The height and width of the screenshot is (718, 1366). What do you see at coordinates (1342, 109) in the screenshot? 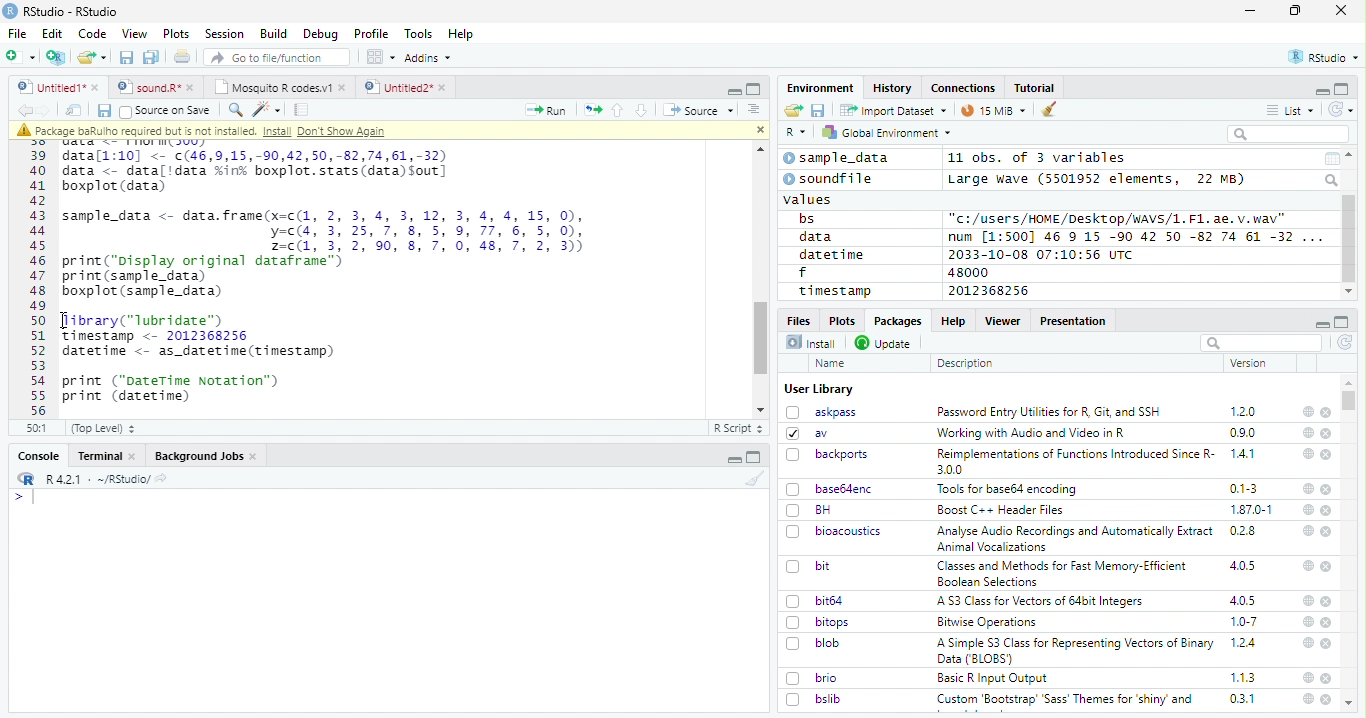
I see `Refresh` at bounding box center [1342, 109].